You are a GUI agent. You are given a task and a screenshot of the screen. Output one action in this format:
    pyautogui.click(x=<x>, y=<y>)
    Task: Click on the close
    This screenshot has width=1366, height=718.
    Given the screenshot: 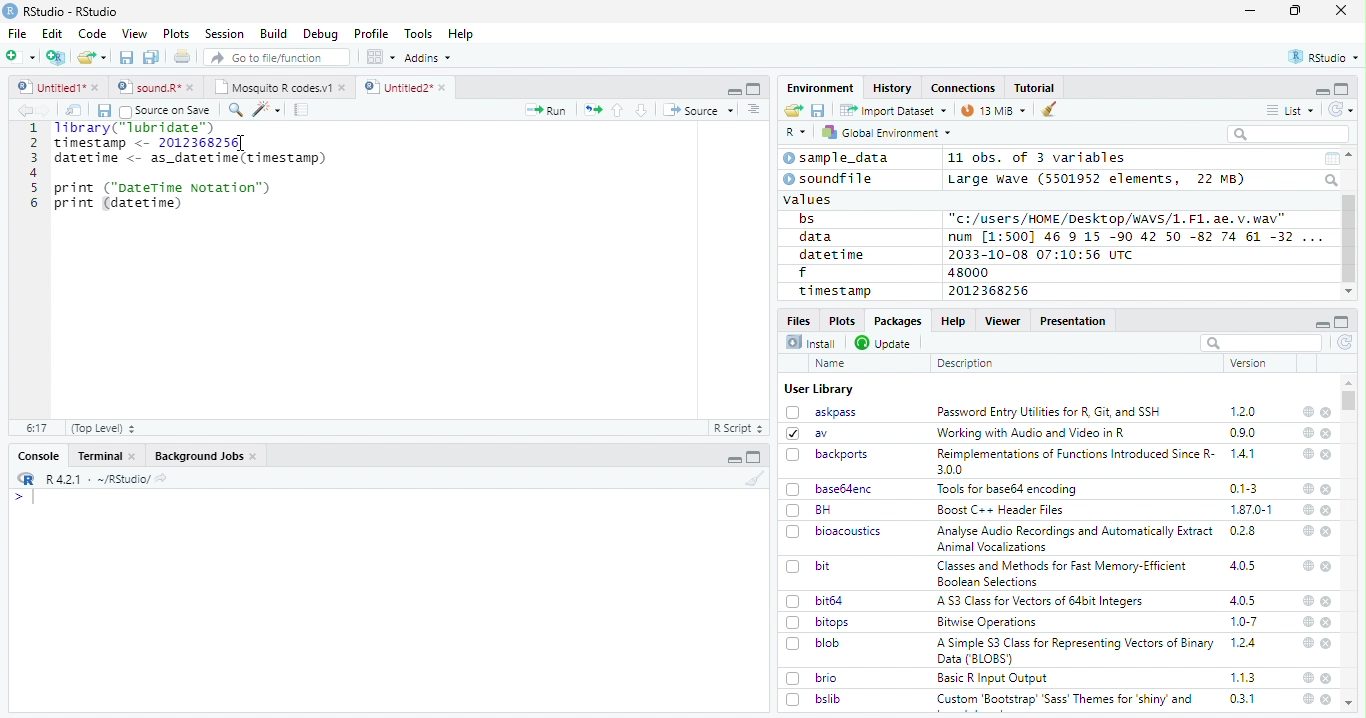 What is the action you would take?
    pyautogui.click(x=1327, y=678)
    